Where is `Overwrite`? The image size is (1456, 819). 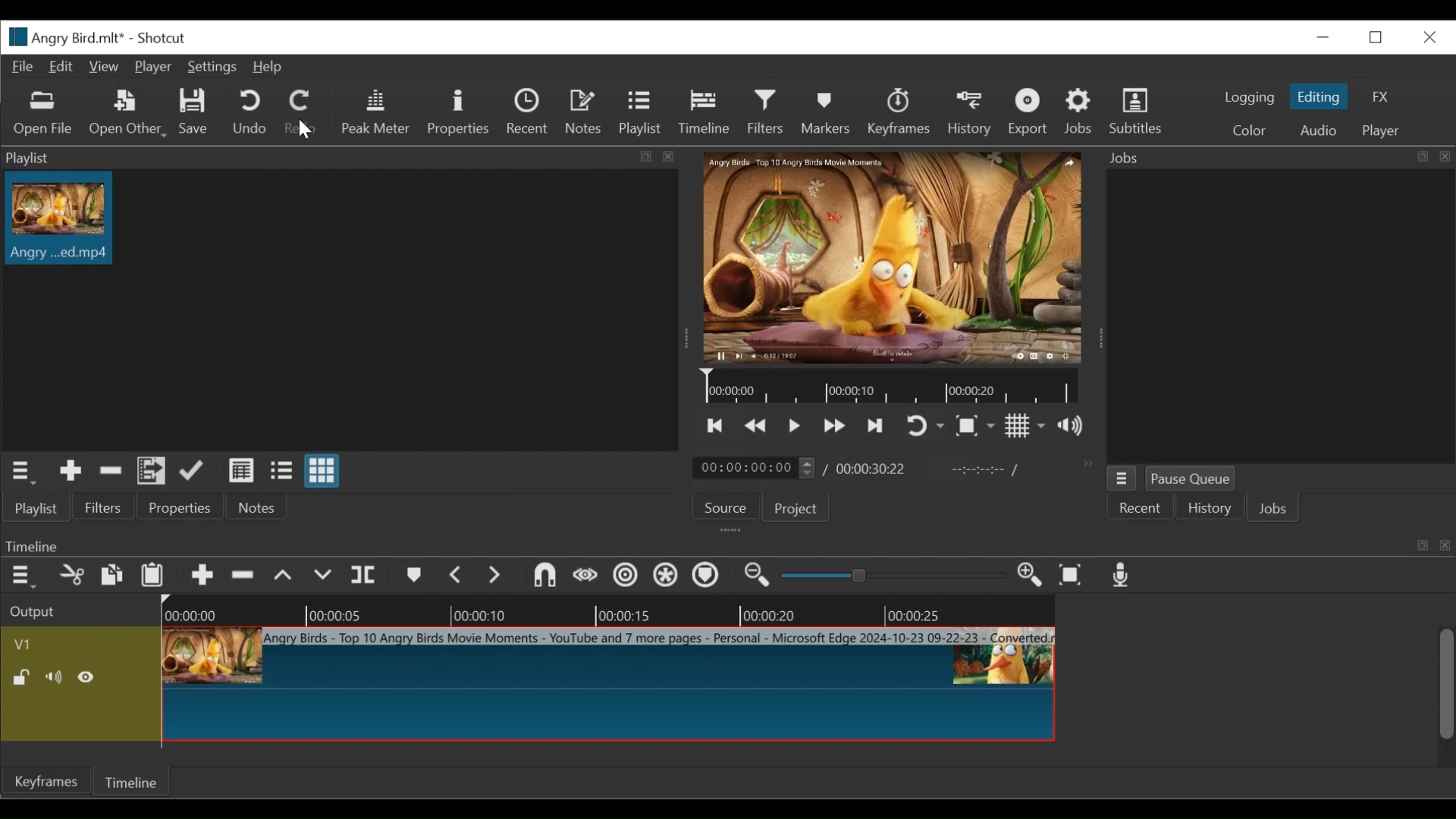 Overwrite is located at coordinates (324, 578).